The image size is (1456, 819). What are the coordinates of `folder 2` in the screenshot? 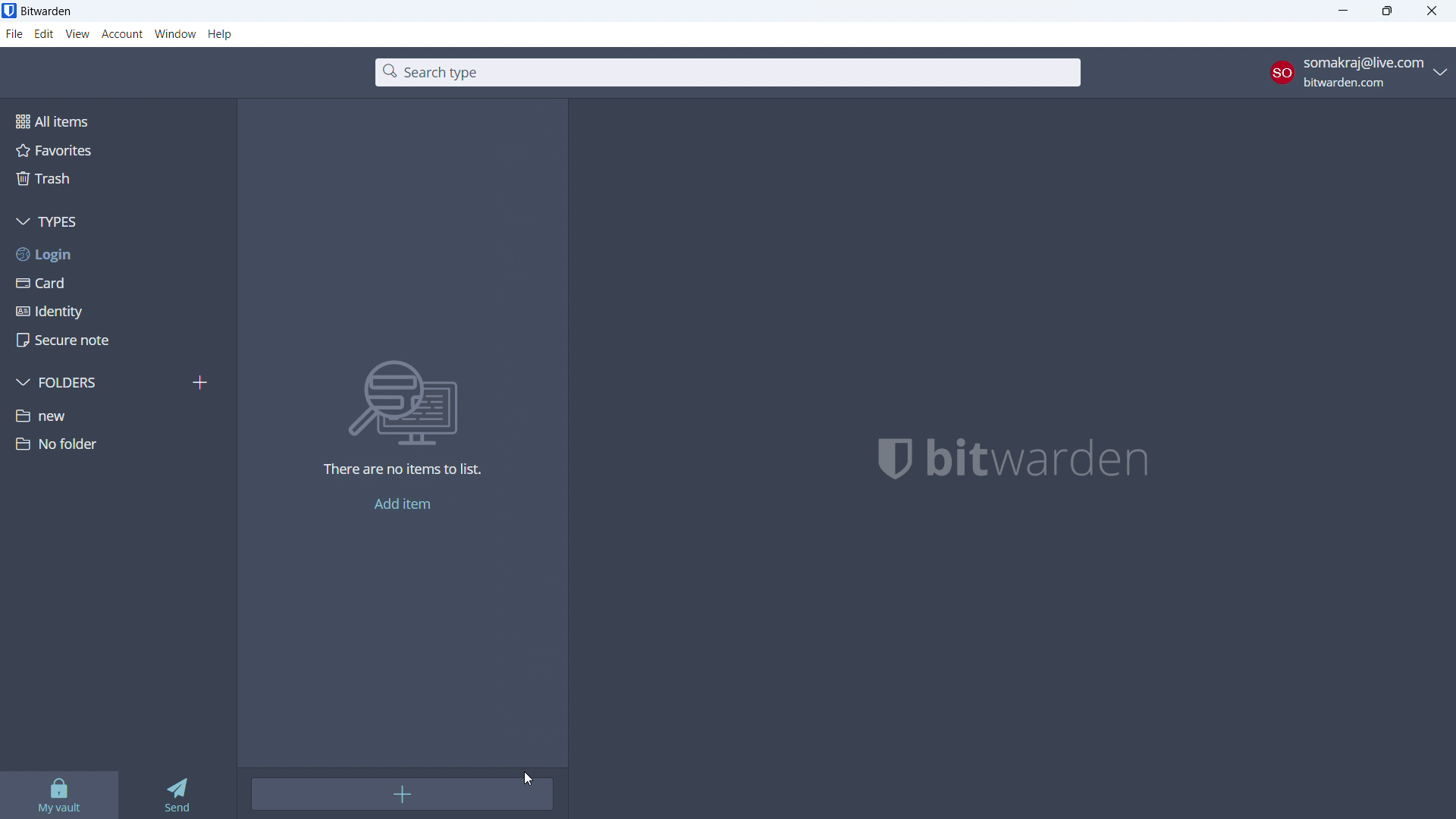 It's located at (117, 444).